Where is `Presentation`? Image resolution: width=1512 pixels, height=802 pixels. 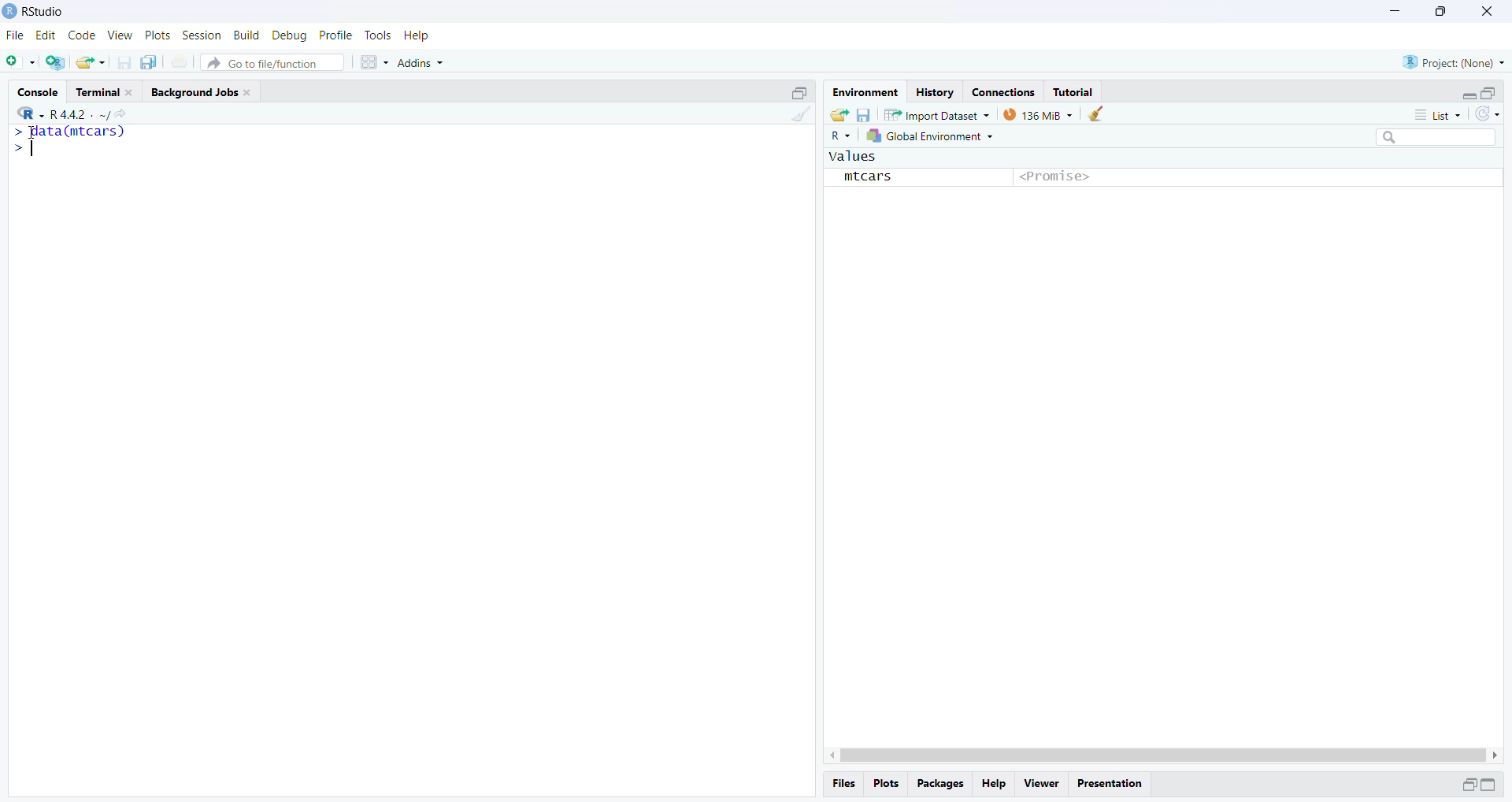
Presentation is located at coordinates (1114, 782).